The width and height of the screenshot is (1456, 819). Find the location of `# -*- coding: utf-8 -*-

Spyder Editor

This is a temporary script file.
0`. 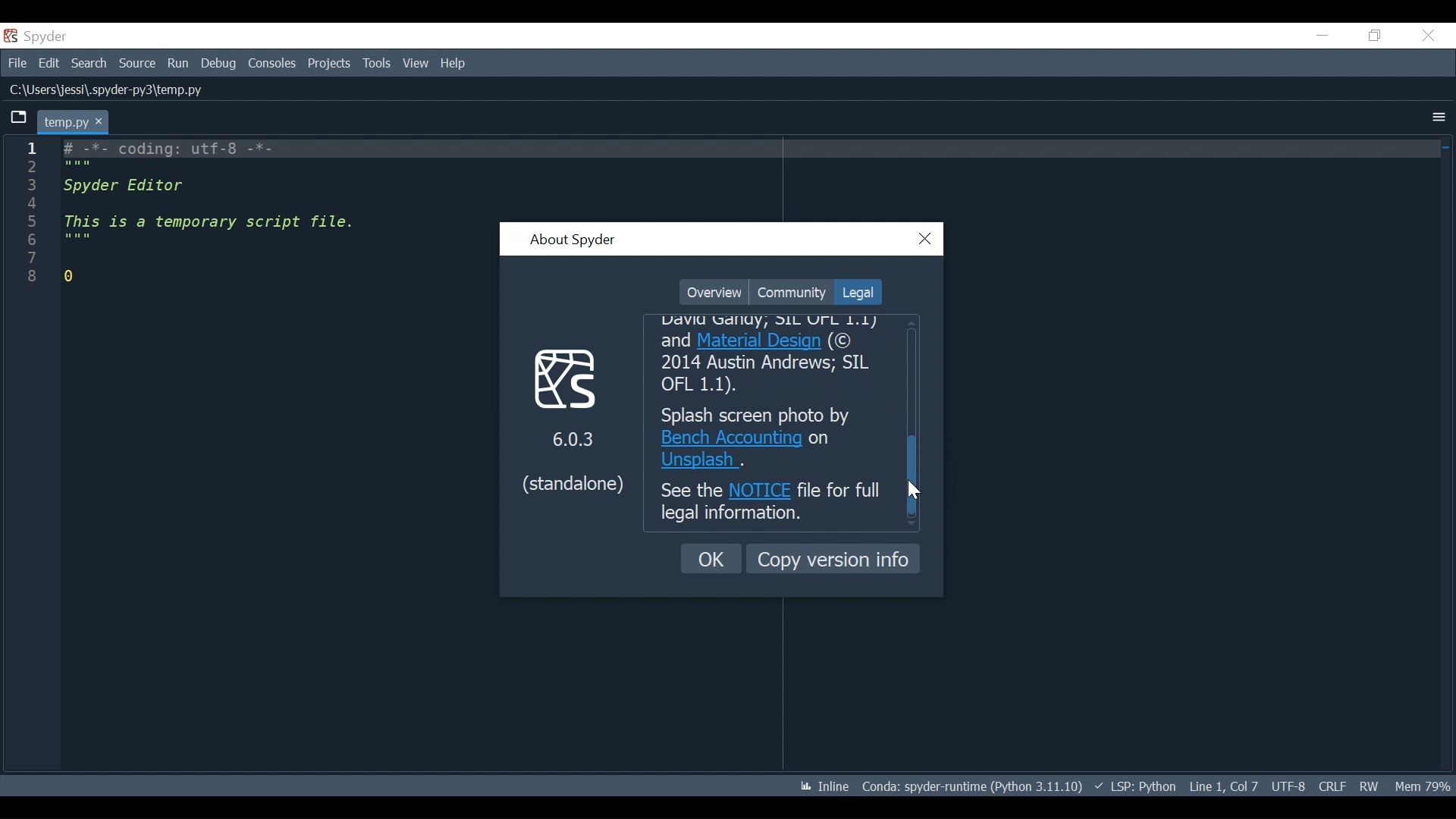

# -*- coding: utf-8 -*-

Spyder Editor

This is a temporary script file.
0 is located at coordinates (193, 213).